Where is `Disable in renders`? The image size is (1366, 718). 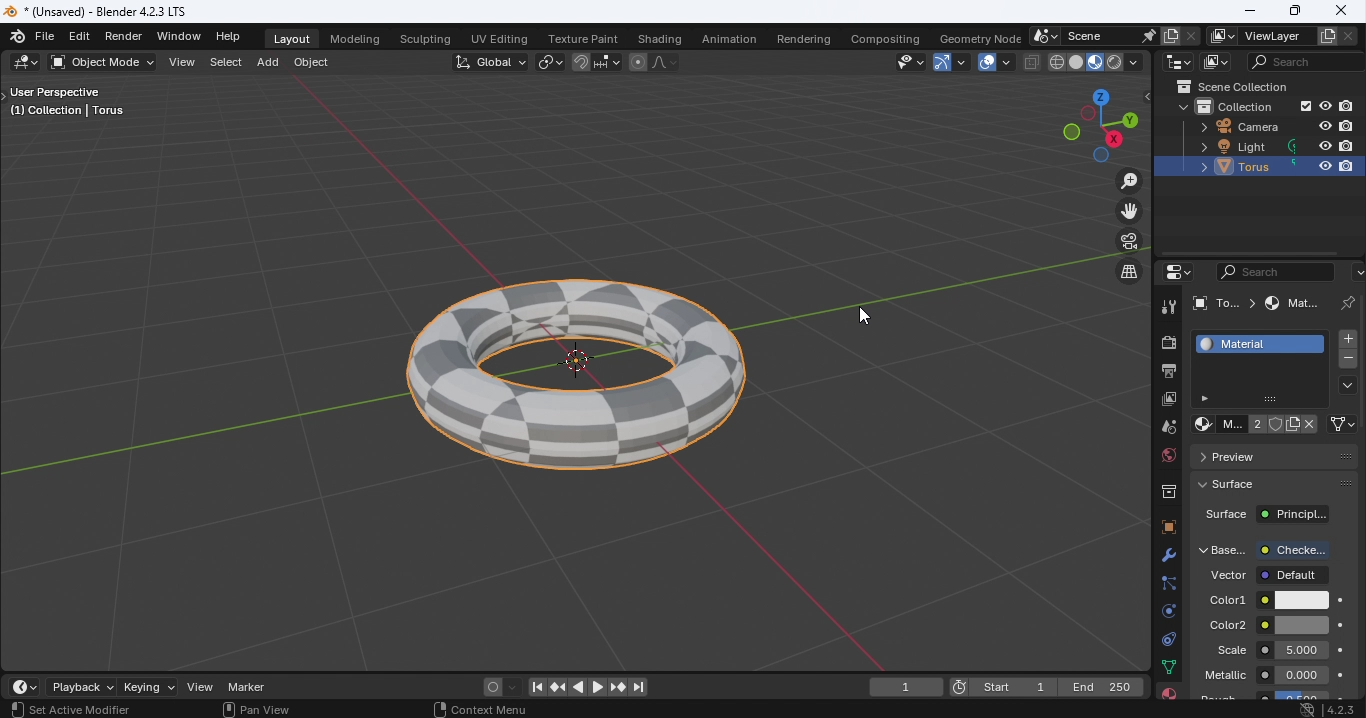
Disable in renders is located at coordinates (1344, 106).